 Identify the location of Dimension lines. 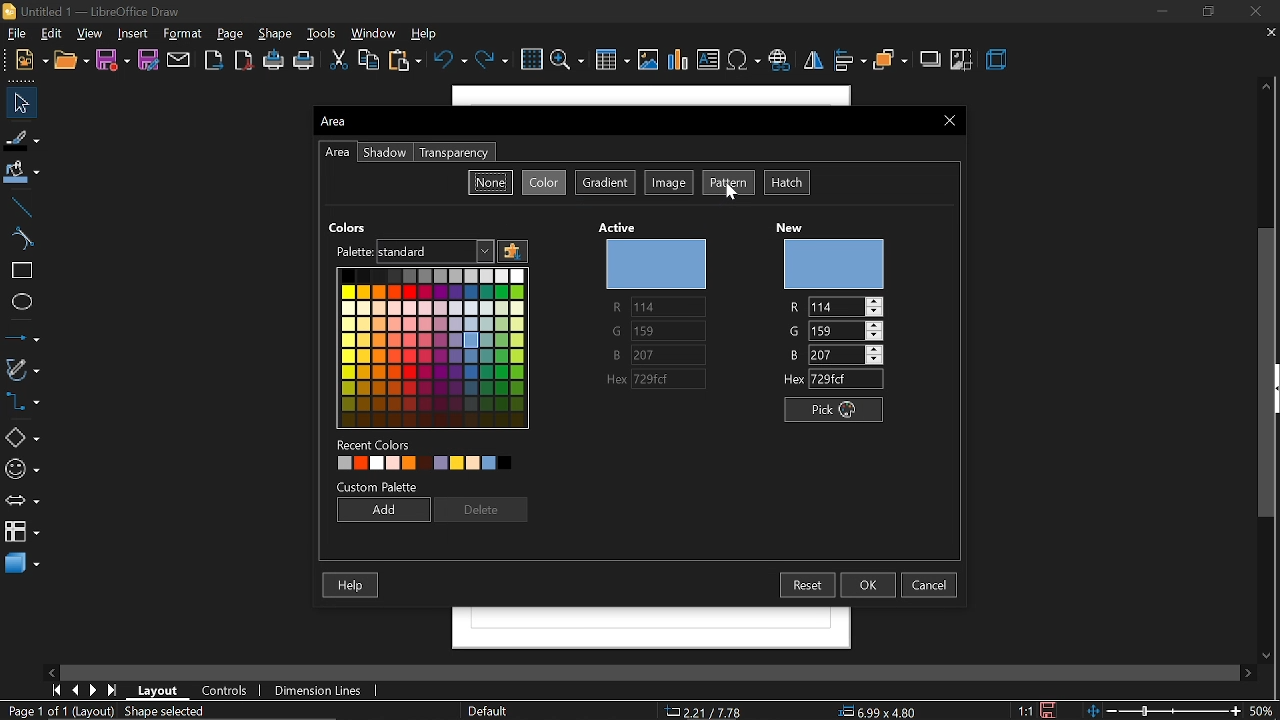
(326, 692).